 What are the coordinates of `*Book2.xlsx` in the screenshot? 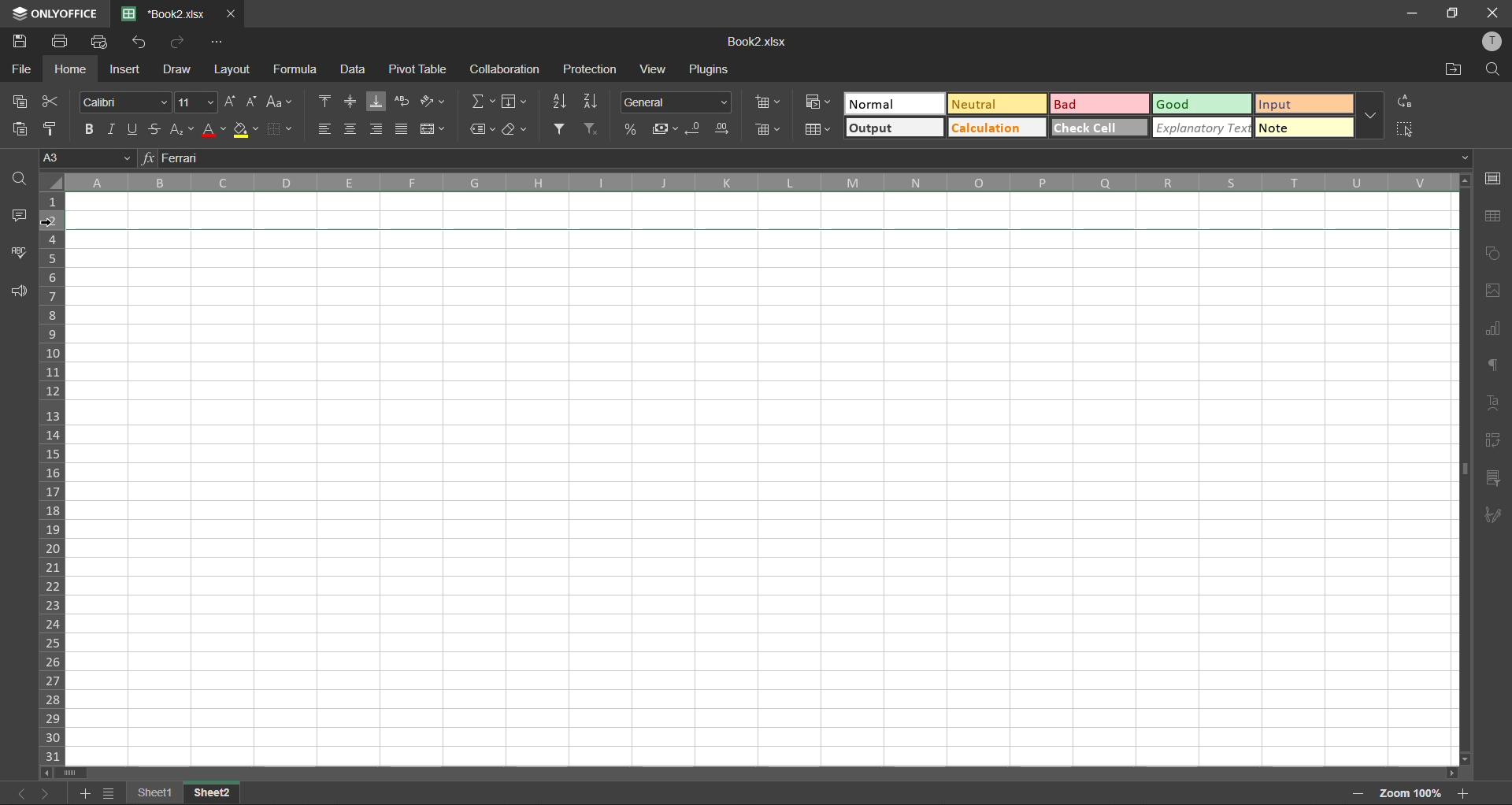 It's located at (167, 13).